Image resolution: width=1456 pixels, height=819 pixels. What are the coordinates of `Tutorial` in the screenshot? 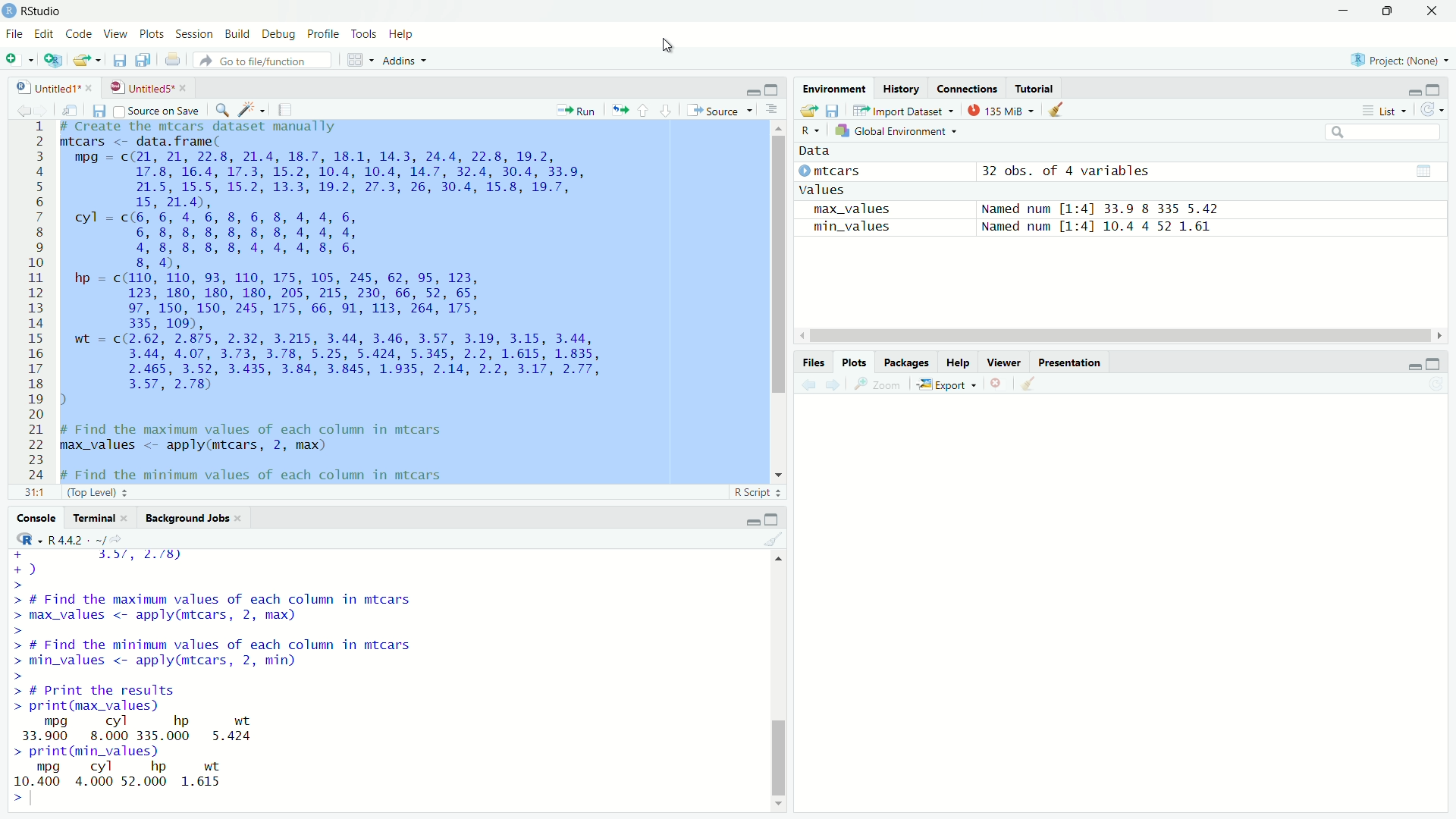 It's located at (1037, 88).